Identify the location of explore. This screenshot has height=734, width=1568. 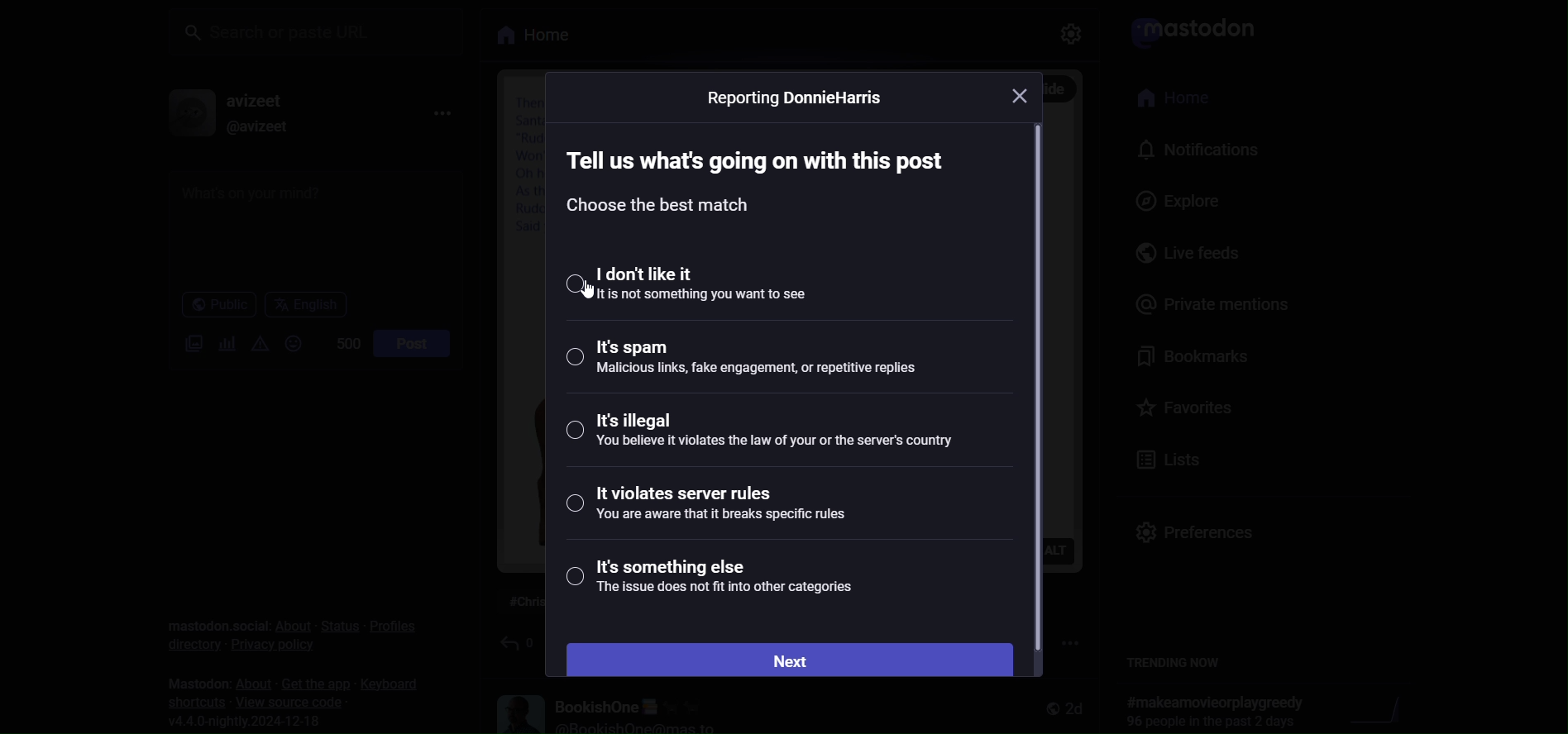
(1162, 201).